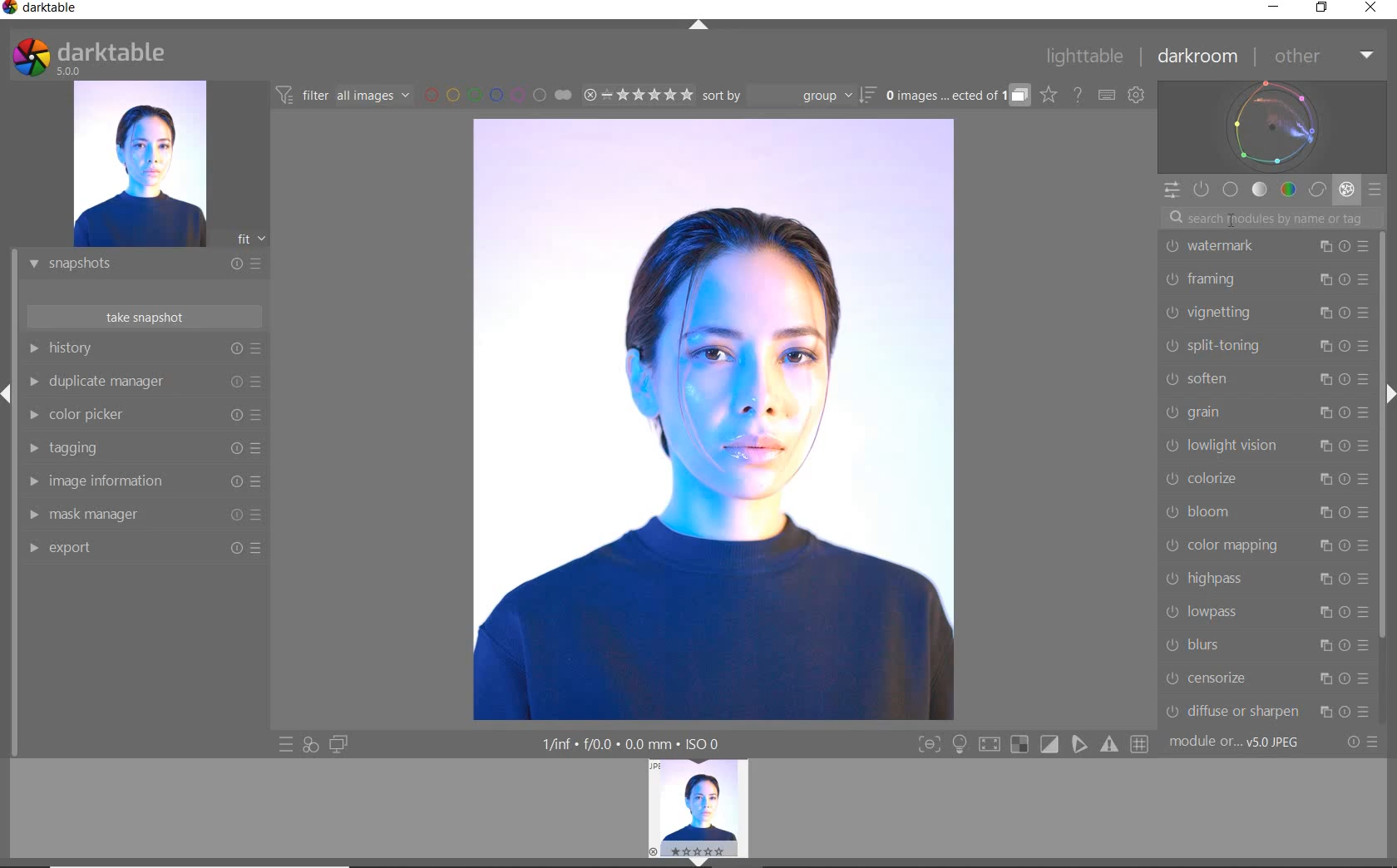 Image resolution: width=1397 pixels, height=868 pixels. What do you see at coordinates (1268, 412) in the screenshot?
I see `GRAIN` at bounding box center [1268, 412].